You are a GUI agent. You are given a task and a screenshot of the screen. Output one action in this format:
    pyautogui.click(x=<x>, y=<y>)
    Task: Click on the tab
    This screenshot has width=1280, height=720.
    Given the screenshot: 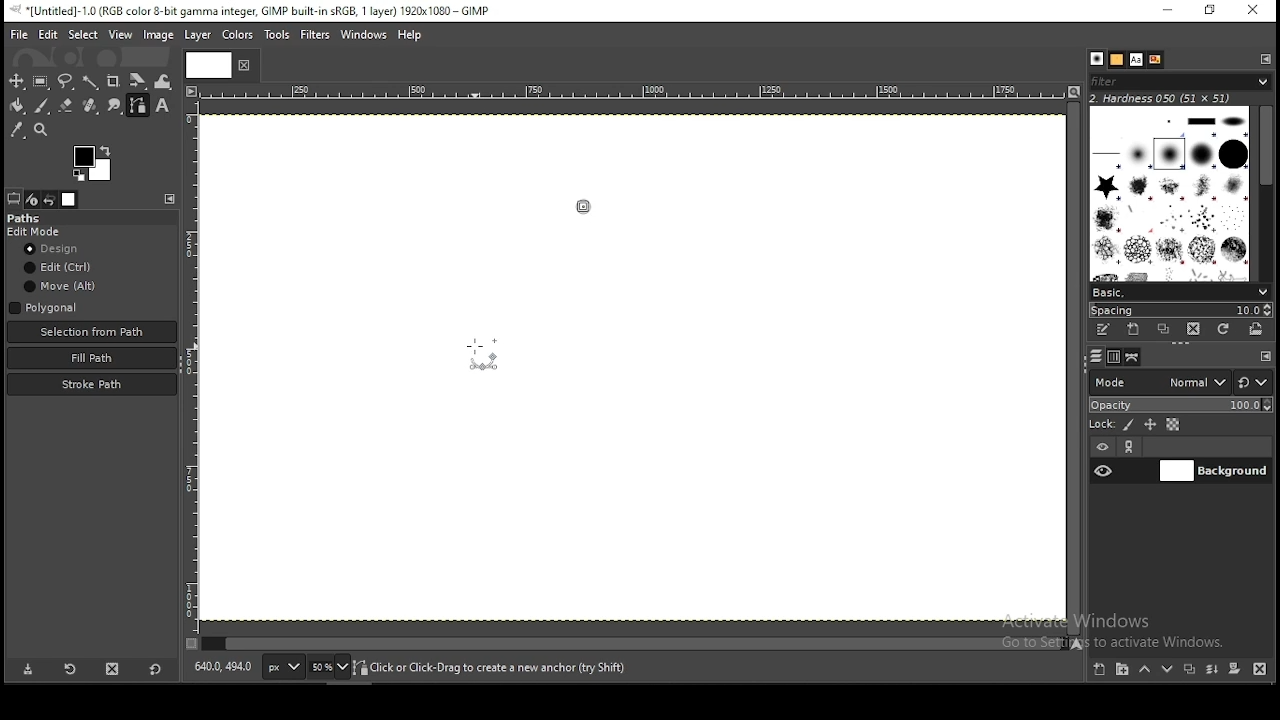 What is the action you would take?
    pyautogui.click(x=211, y=65)
    